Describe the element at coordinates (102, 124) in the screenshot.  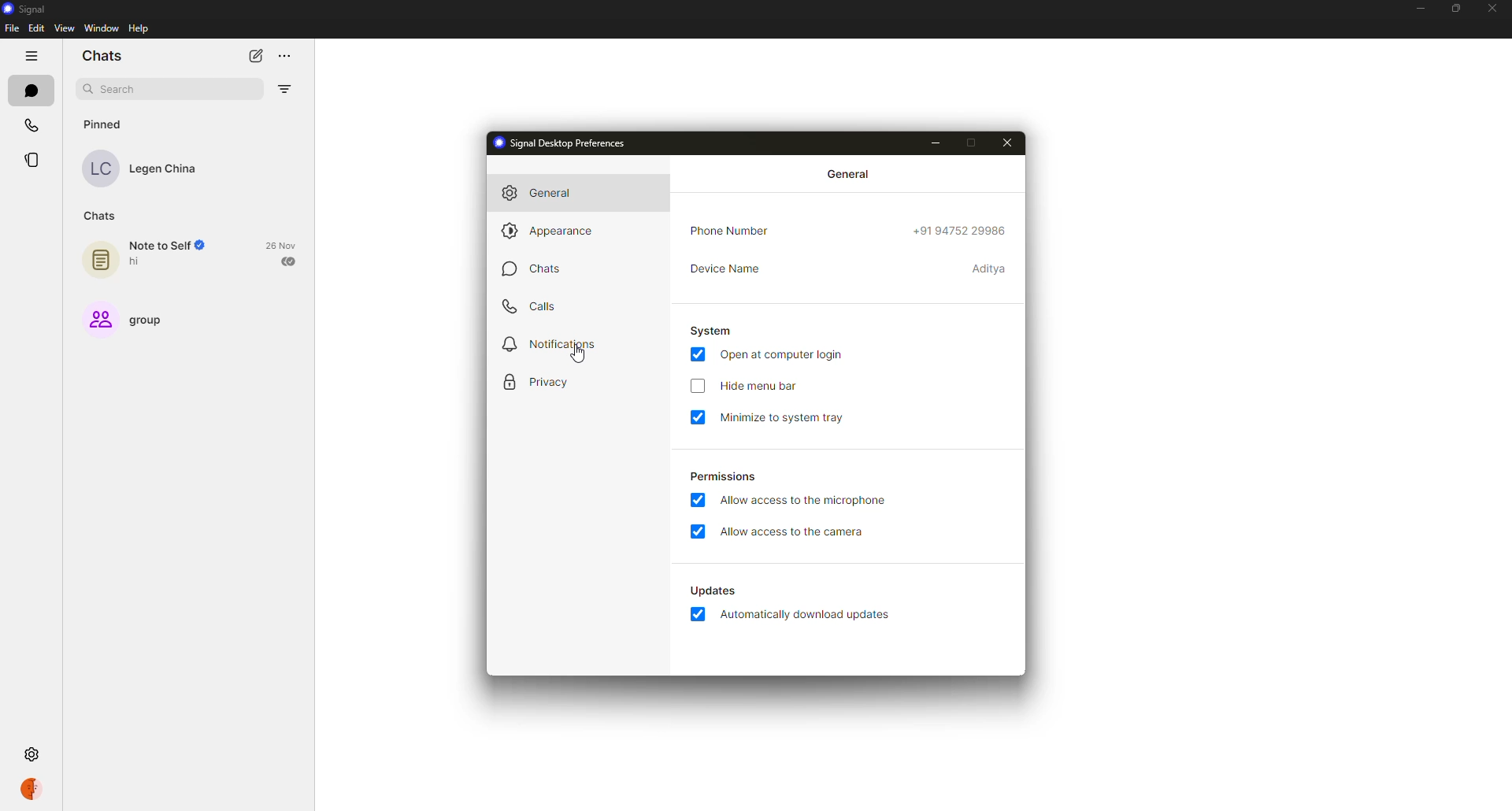
I see `pinned` at that location.